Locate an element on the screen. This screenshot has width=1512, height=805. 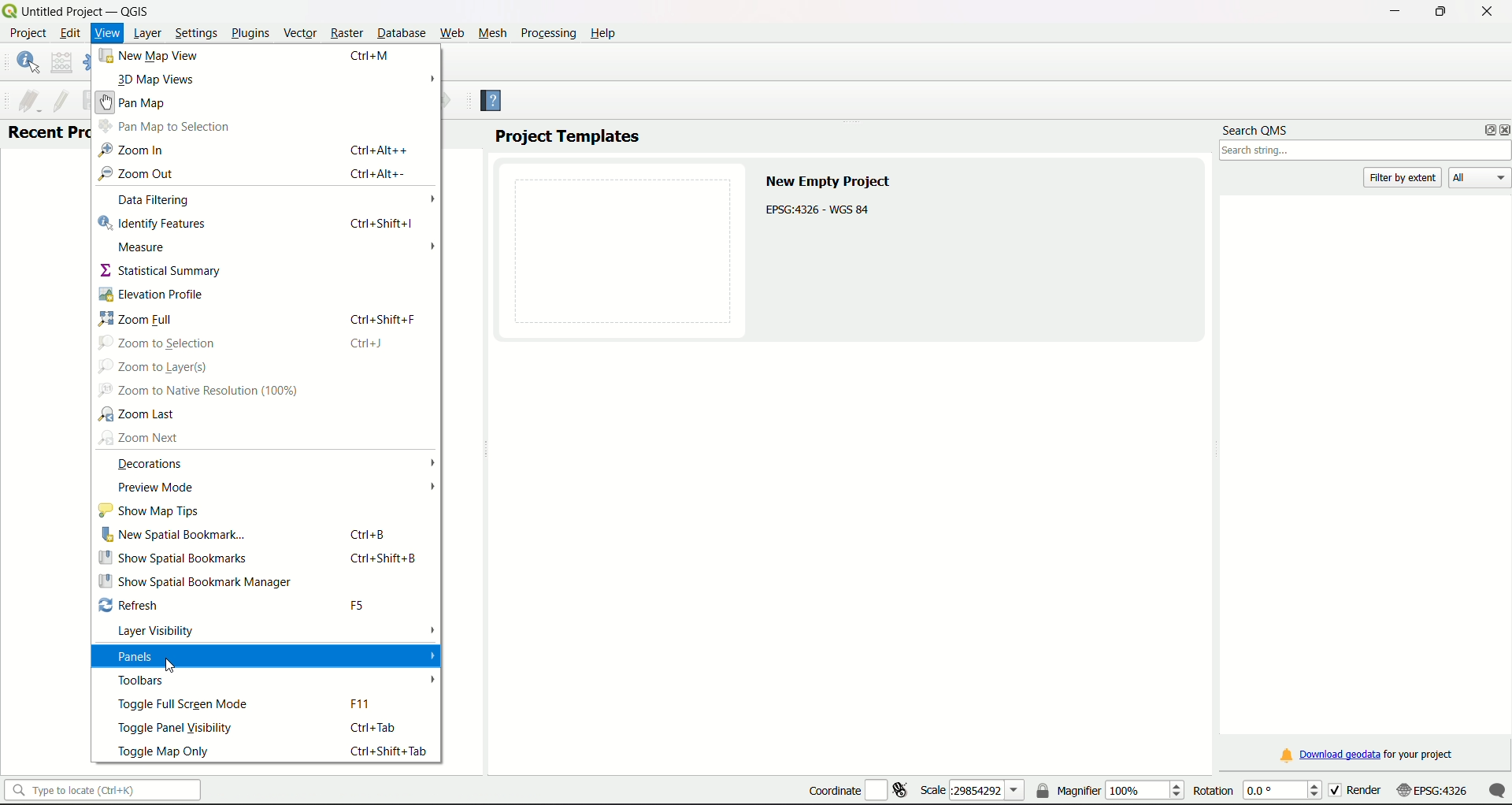
zoom to native resolution is located at coordinates (195, 391).